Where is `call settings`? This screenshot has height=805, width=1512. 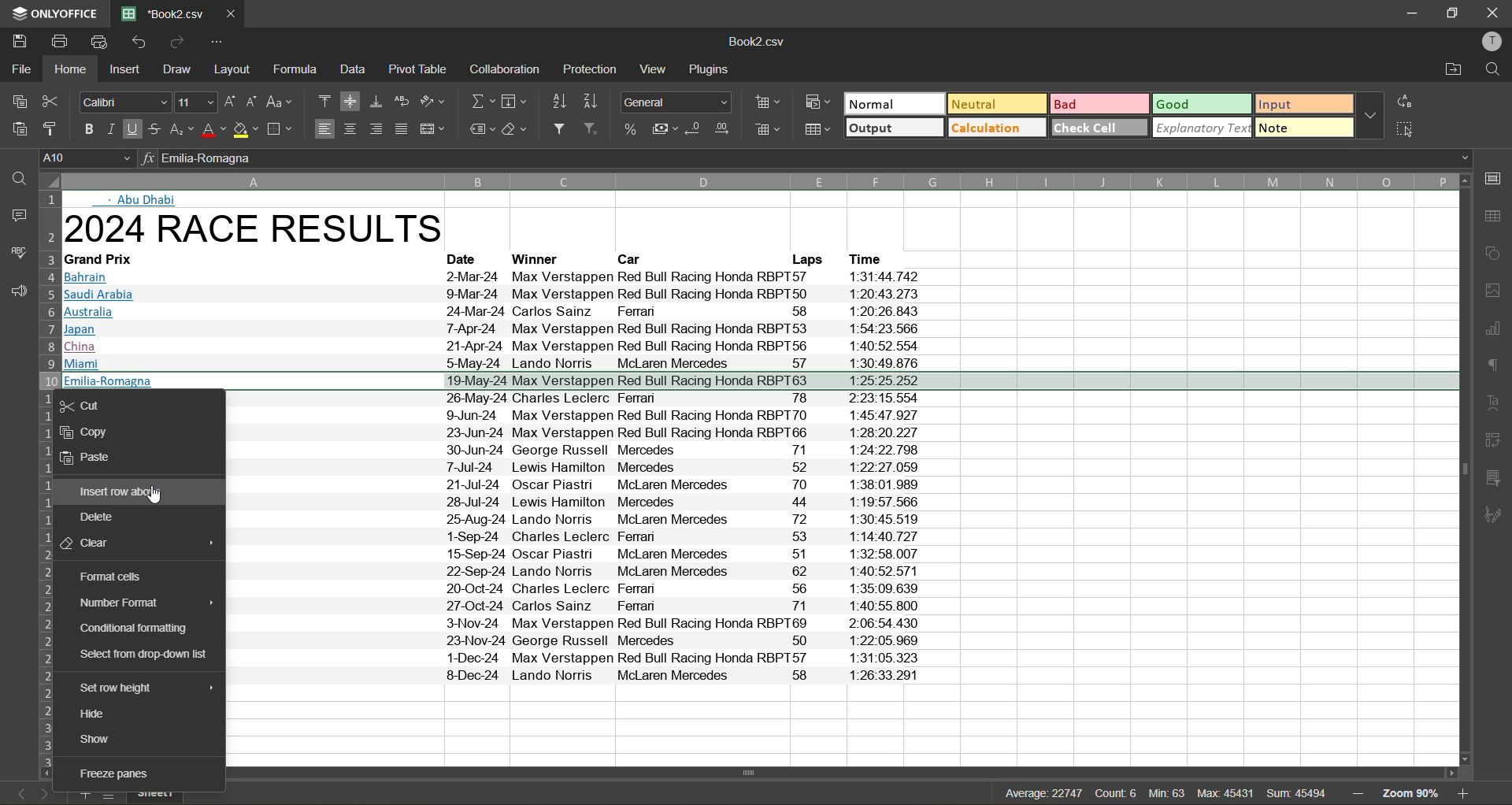 call settings is located at coordinates (1496, 178).